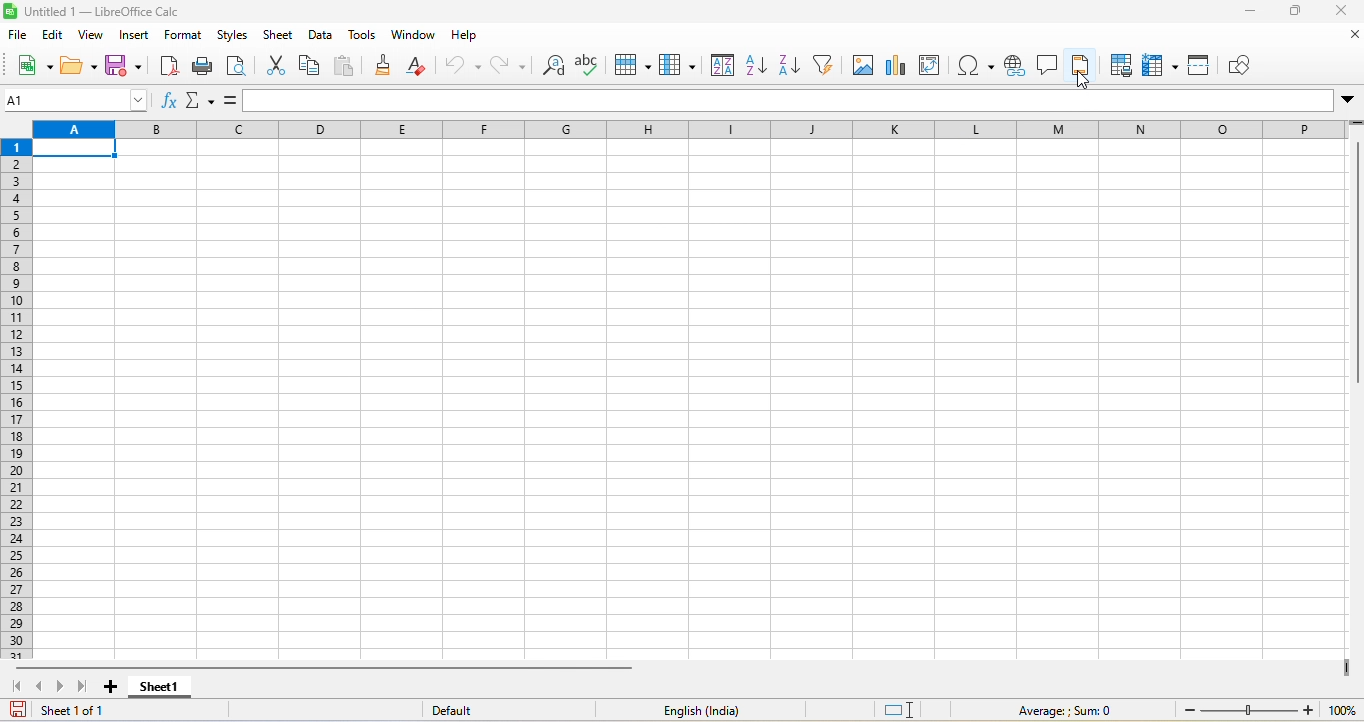 The image size is (1364, 722). I want to click on auto filter, so click(826, 64).